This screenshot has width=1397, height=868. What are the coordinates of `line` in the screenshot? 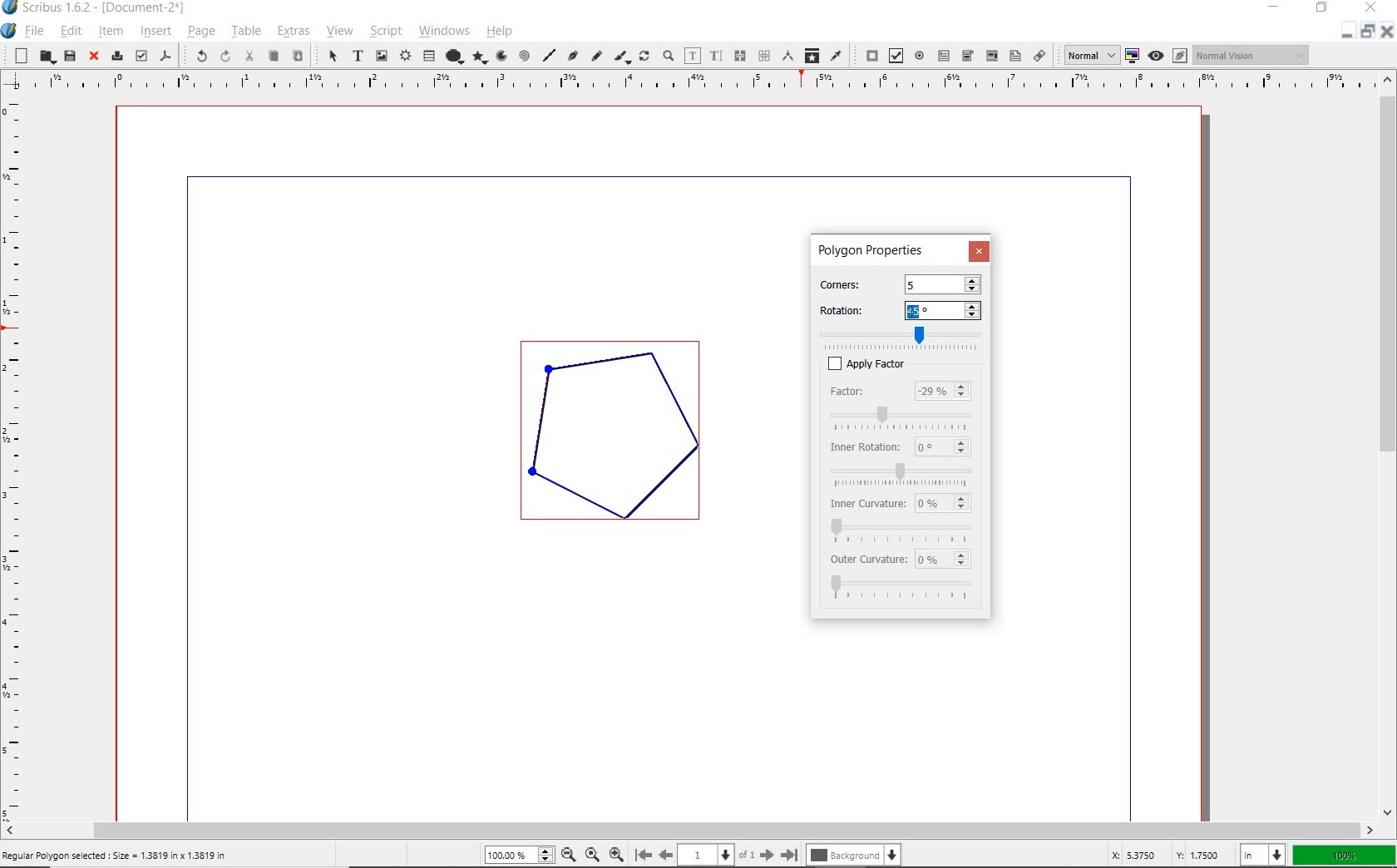 It's located at (548, 52).